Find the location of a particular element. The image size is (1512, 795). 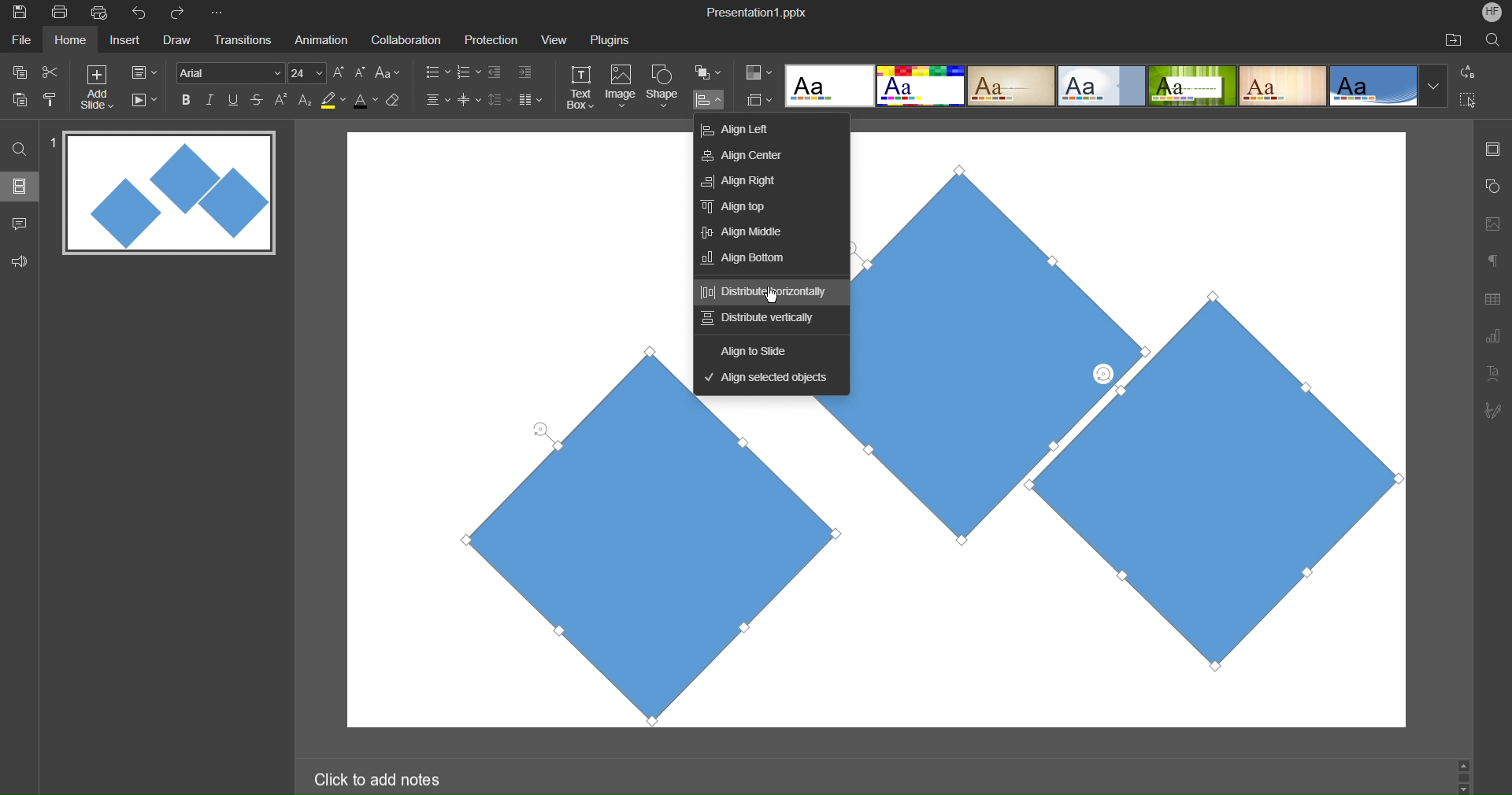

align right is located at coordinates (767, 179).